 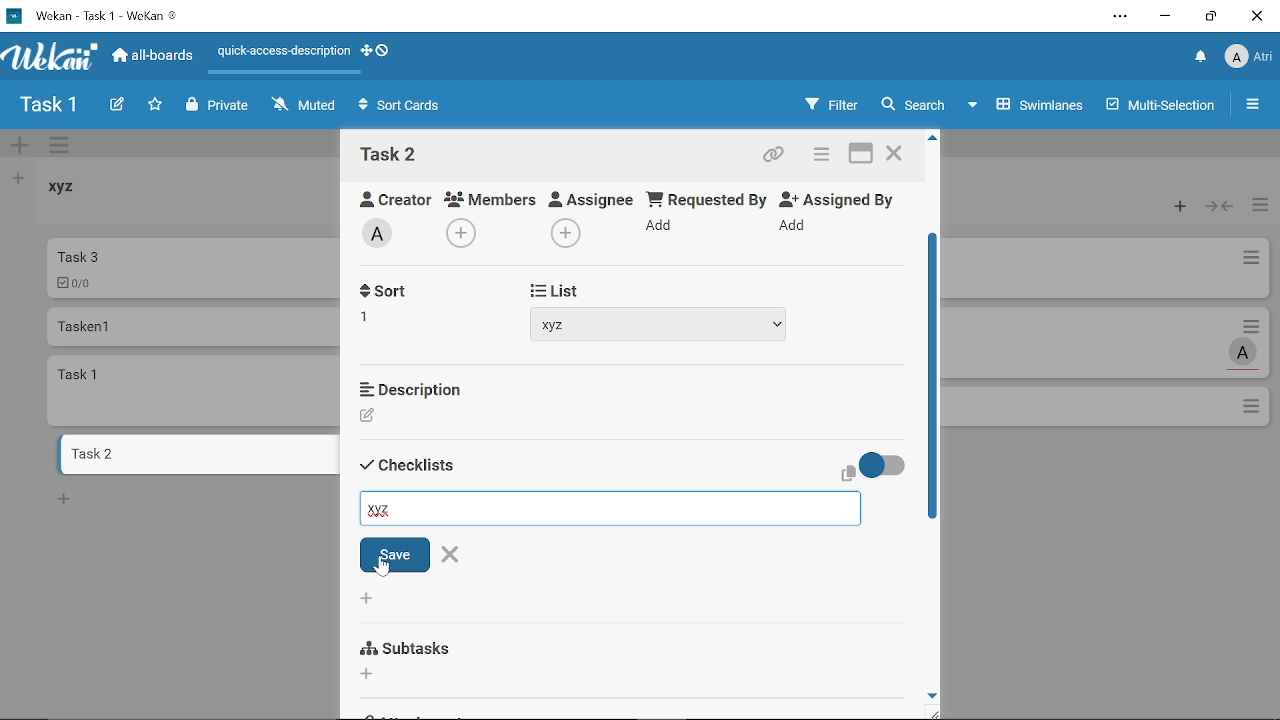 I want to click on Card actions, so click(x=818, y=157).